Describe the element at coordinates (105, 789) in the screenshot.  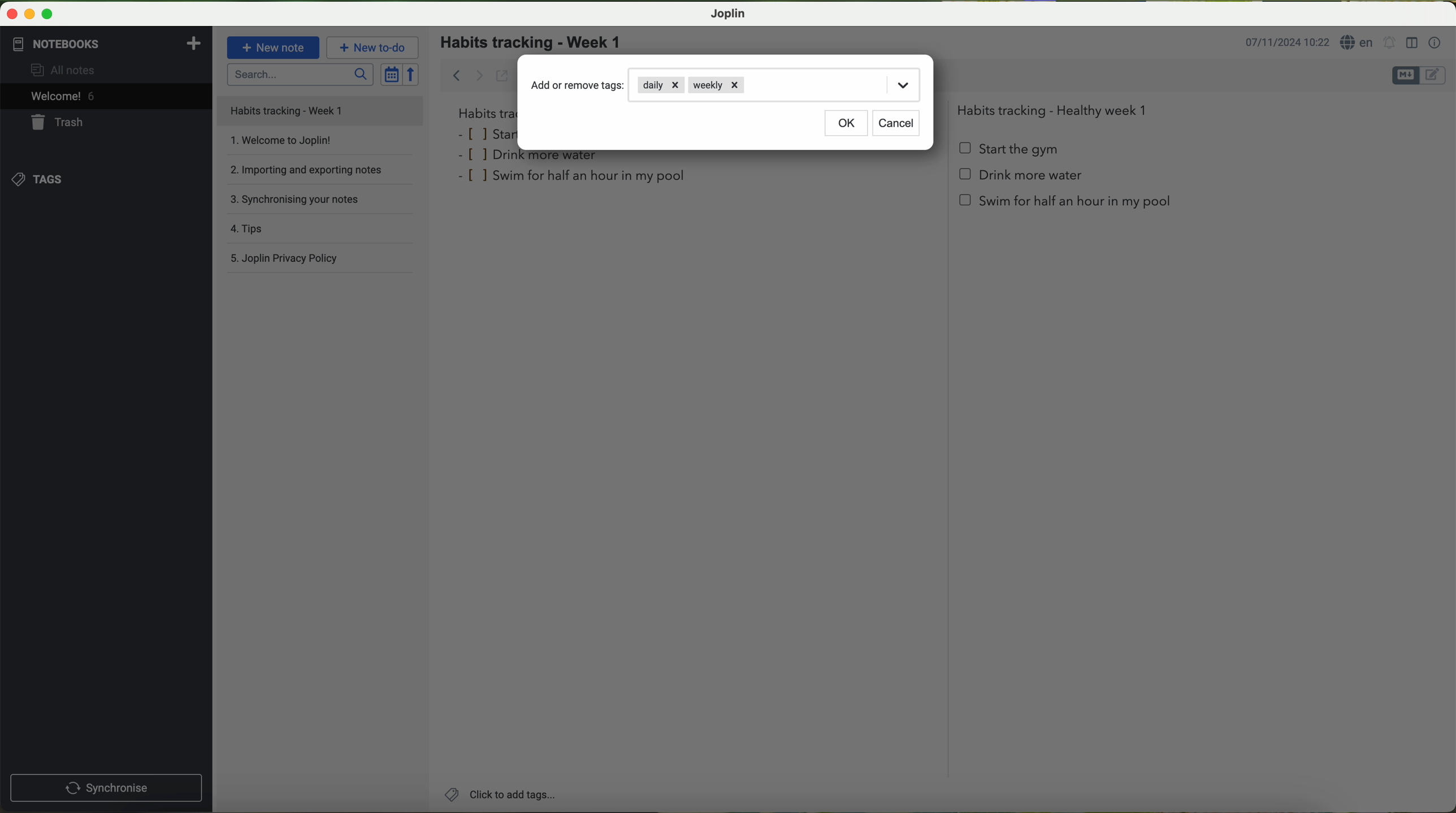
I see `synchronnise button` at that location.